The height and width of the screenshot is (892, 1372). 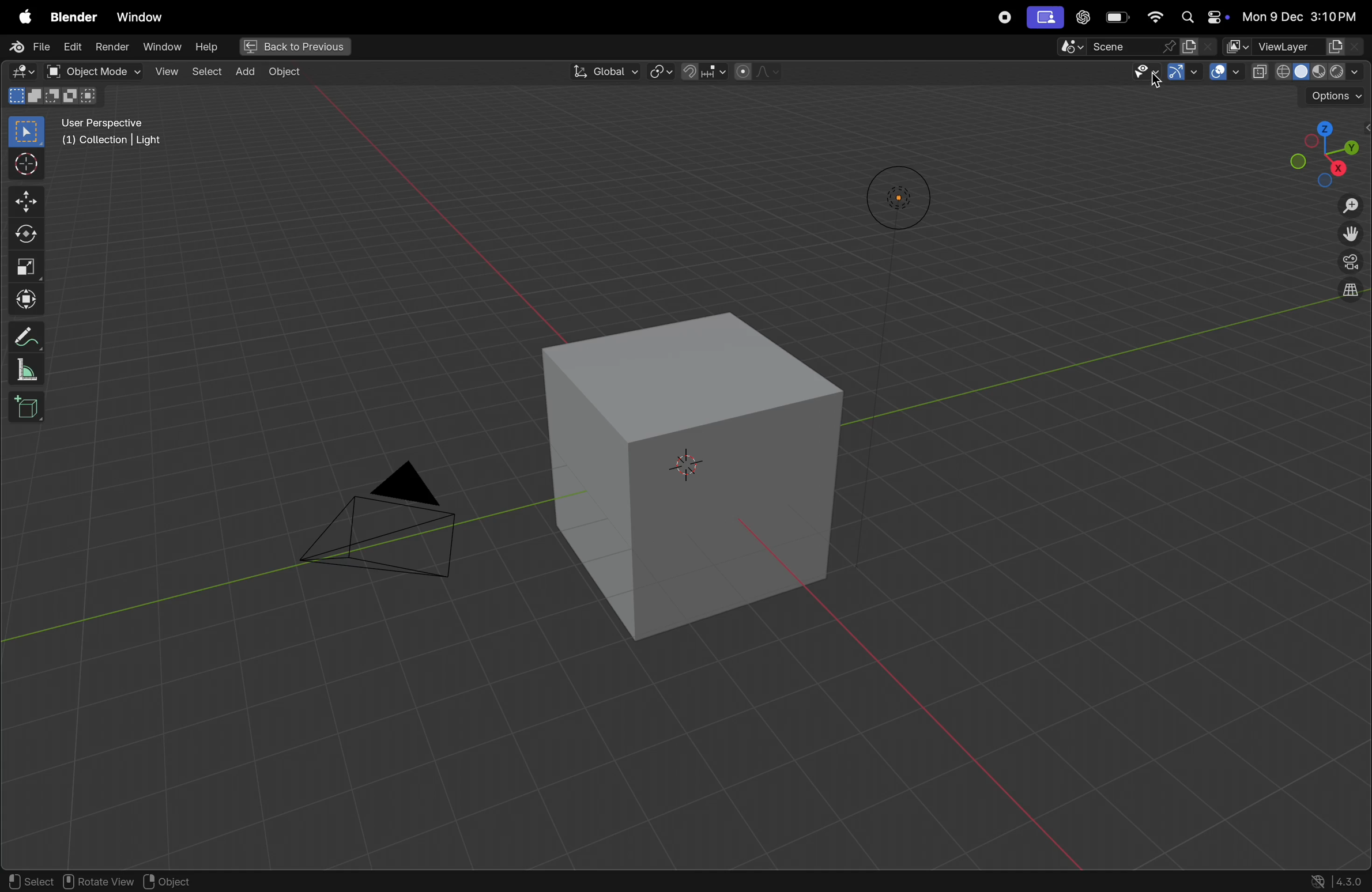 What do you see at coordinates (1201, 17) in the screenshot?
I see `apple widgets` at bounding box center [1201, 17].